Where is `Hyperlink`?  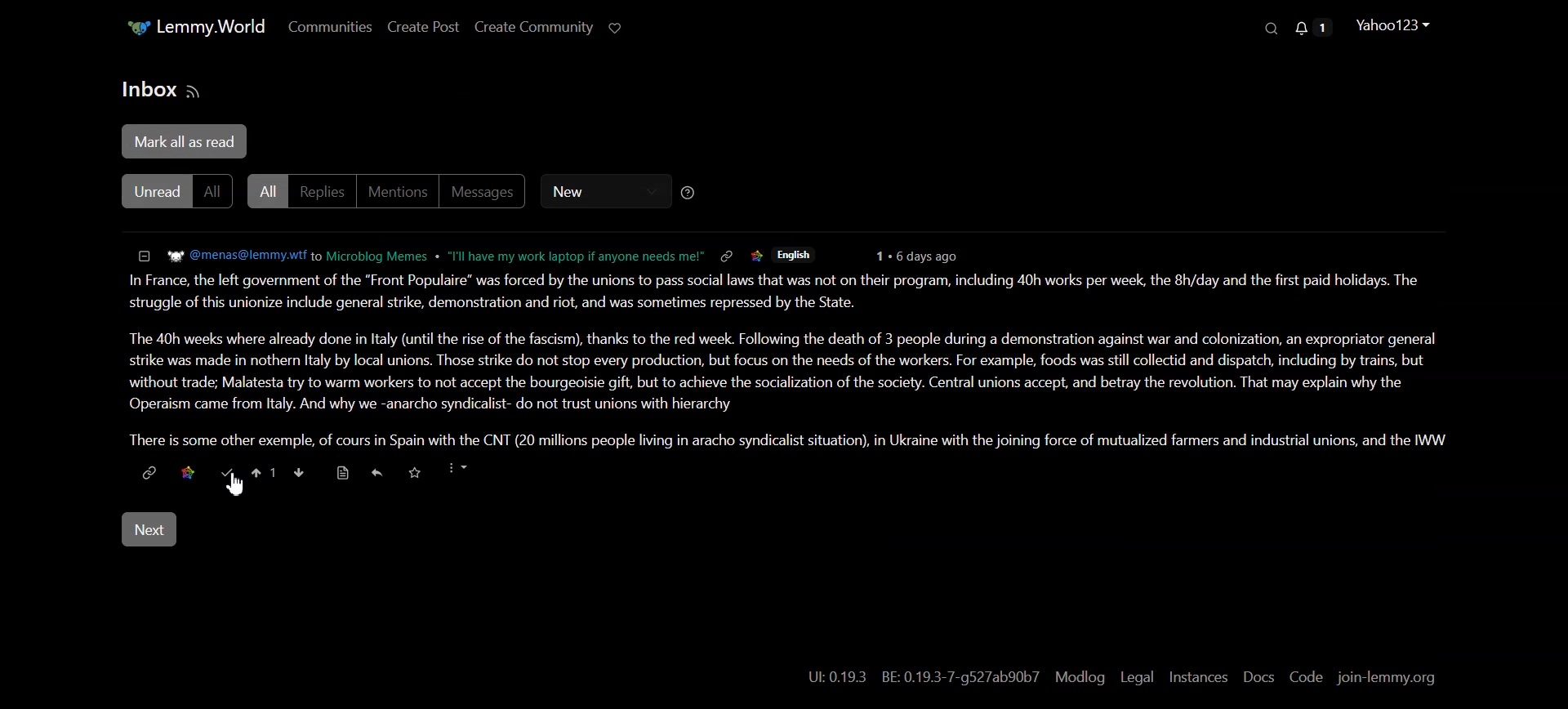
Hyperlink is located at coordinates (436, 256).